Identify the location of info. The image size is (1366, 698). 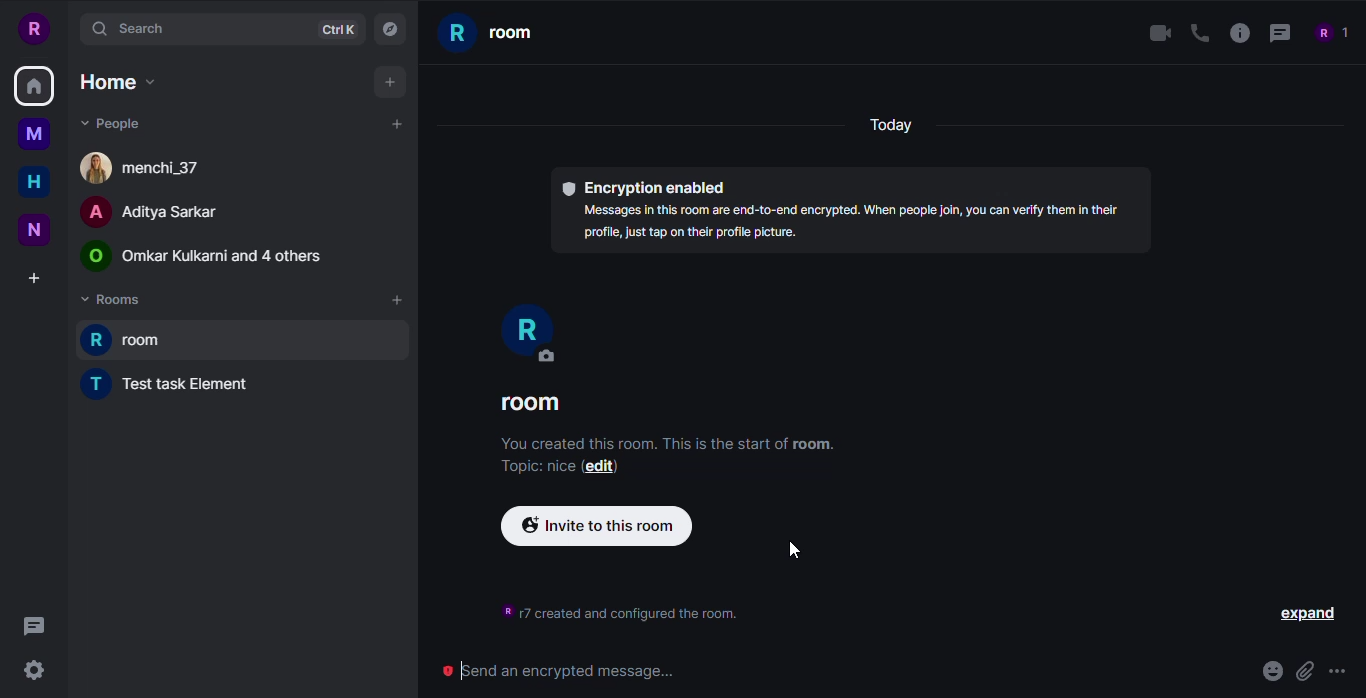
(853, 222).